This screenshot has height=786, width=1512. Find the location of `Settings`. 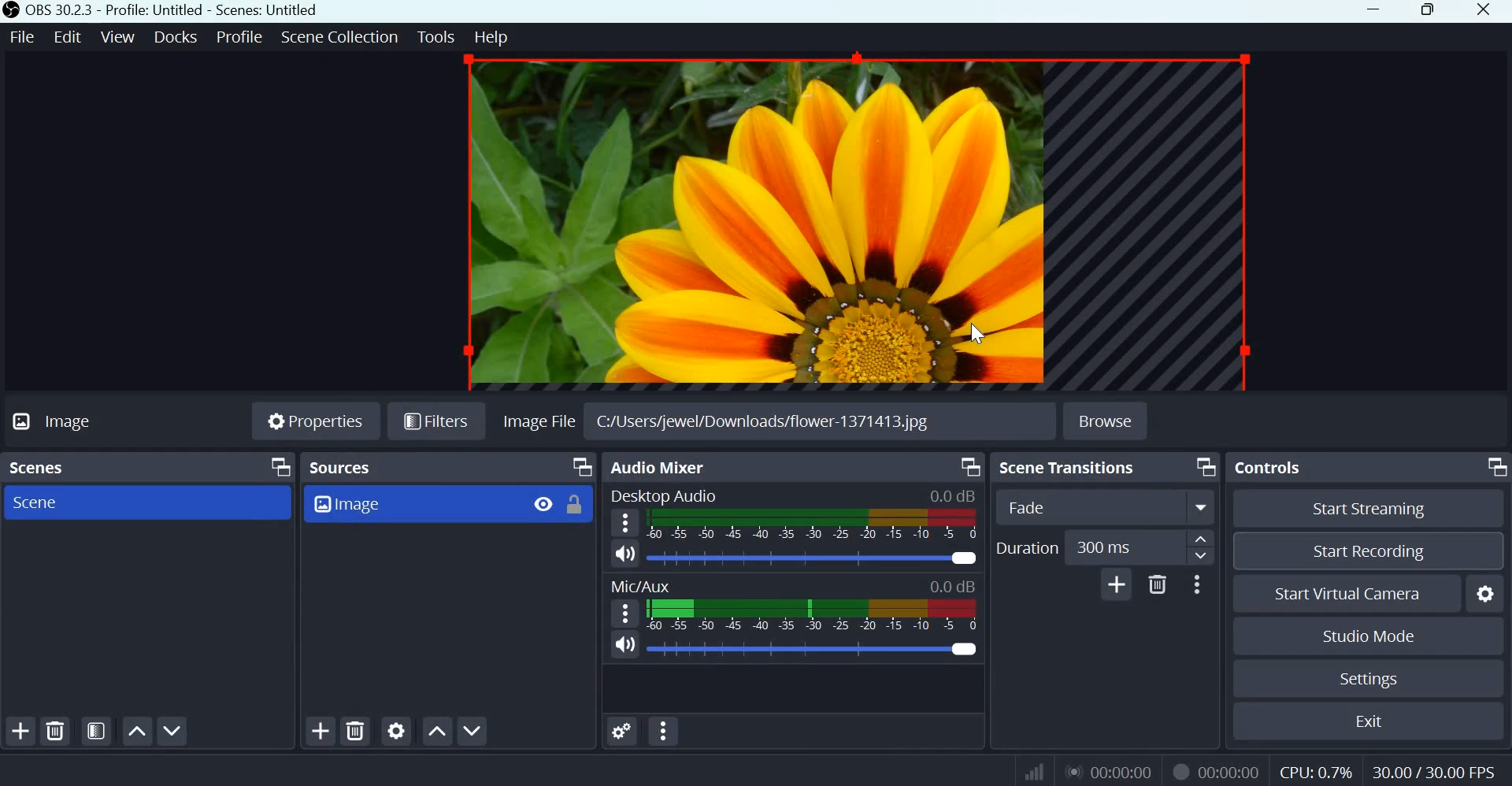

Settings is located at coordinates (1369, 679).